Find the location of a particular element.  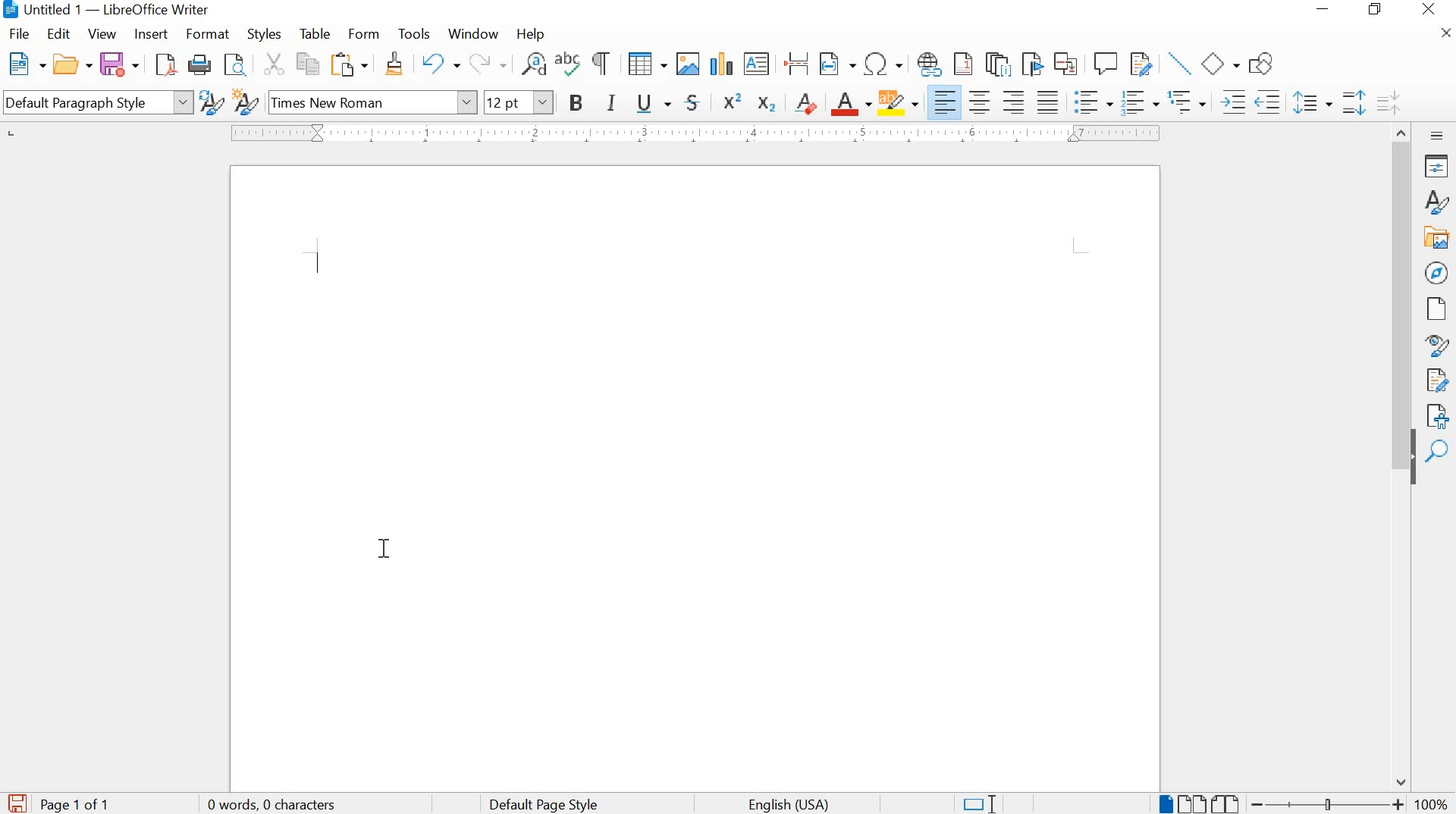

CHARACTER HIGHLIGHTING COLOR is located at coordinates (899, 103).